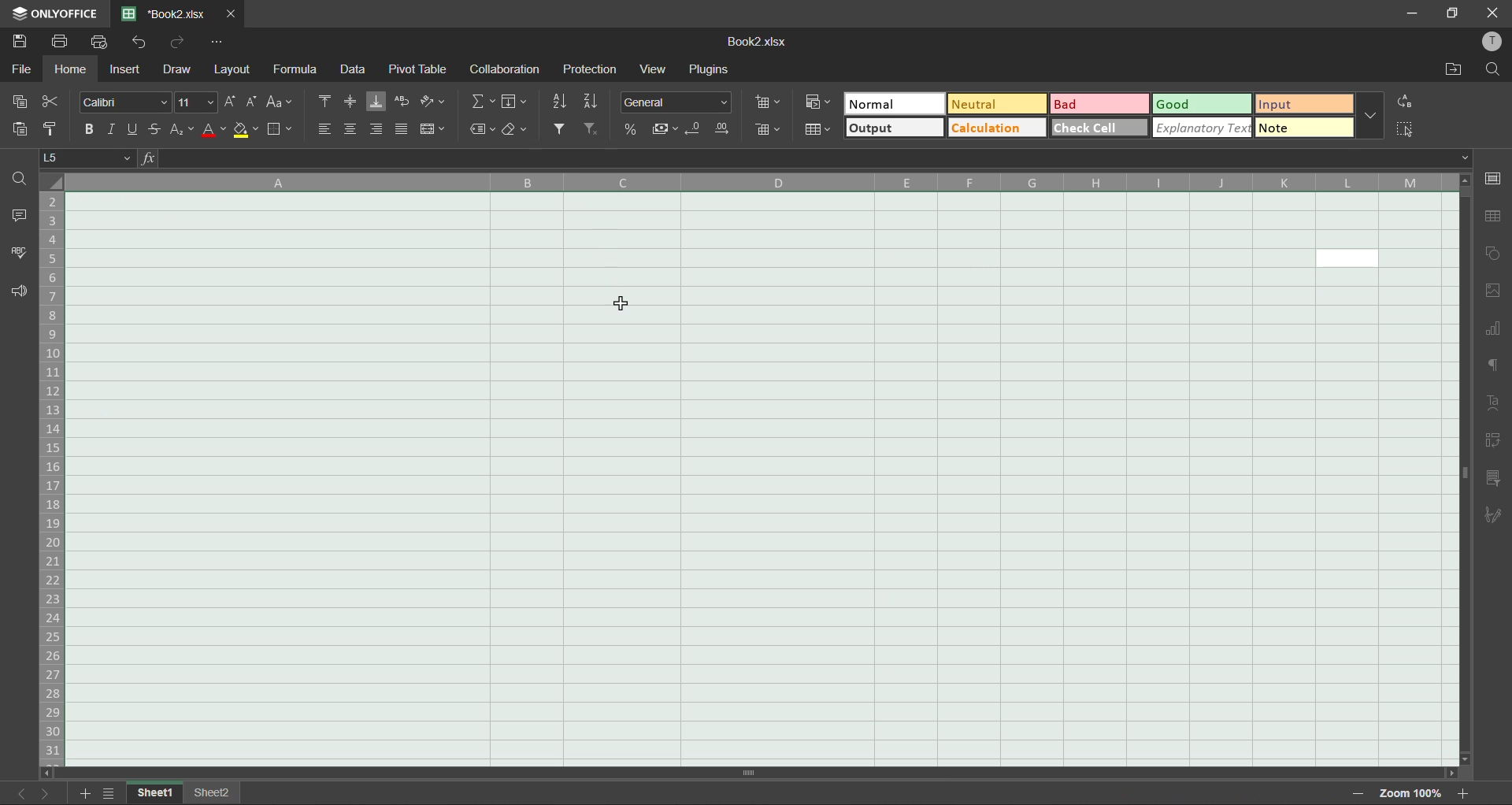  Describe the element at coordinates (506, 70) in the screenshot. I see `collaboration` at that location.